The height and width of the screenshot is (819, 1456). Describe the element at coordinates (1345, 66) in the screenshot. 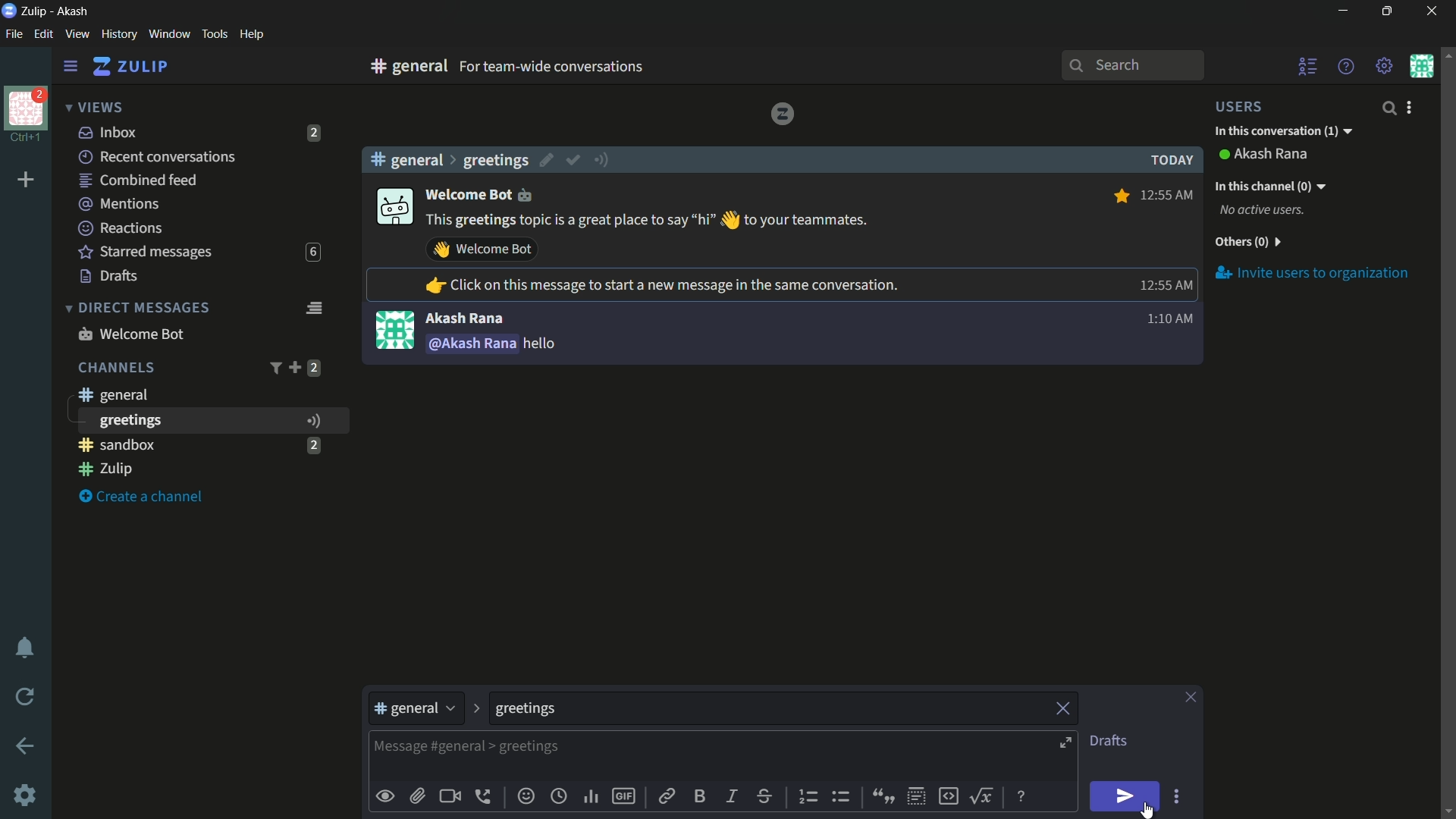

I see `help menu` at that location.